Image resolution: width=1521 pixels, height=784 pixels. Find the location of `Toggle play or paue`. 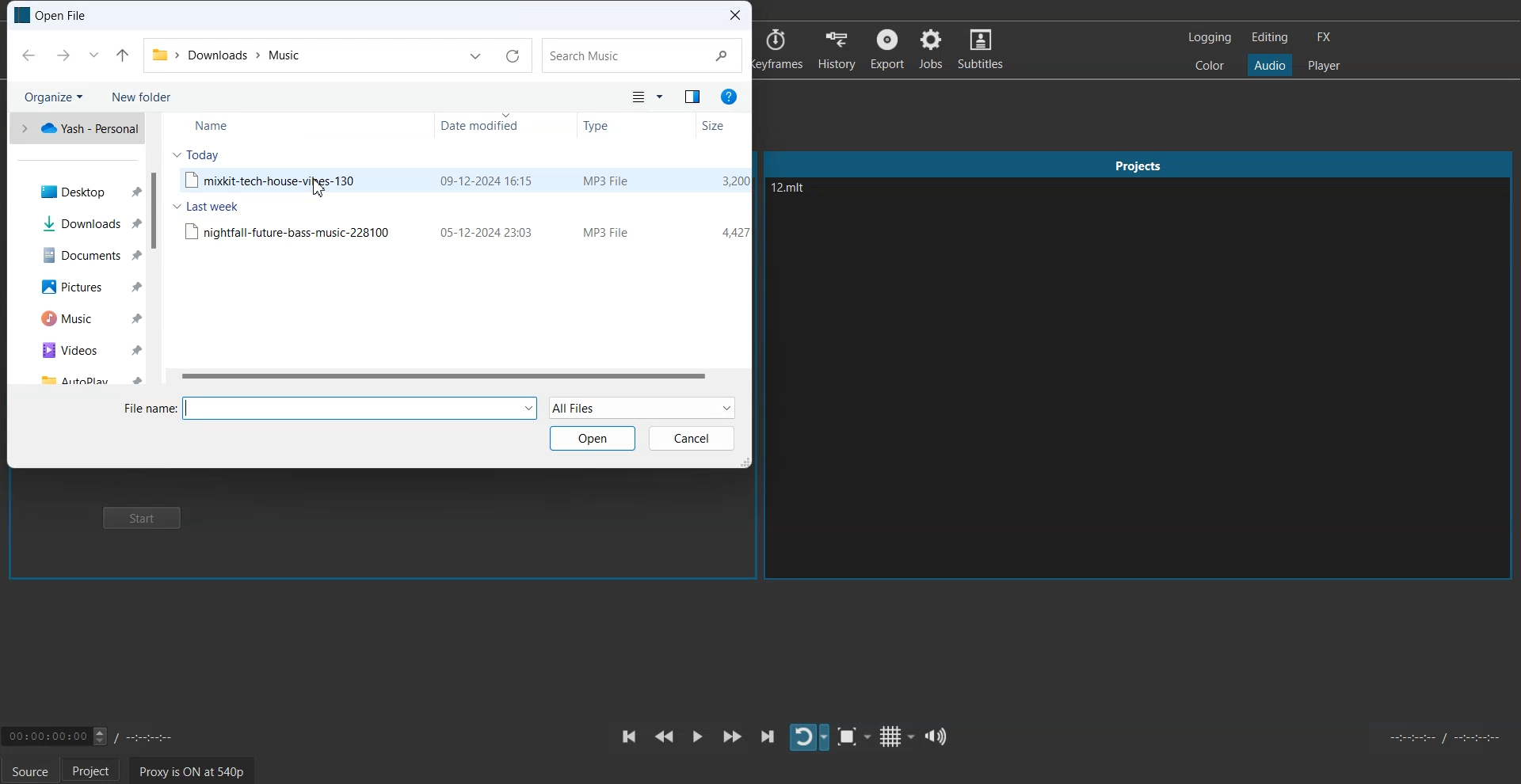

Toggle play or paue is located at coordinates (697, 736).